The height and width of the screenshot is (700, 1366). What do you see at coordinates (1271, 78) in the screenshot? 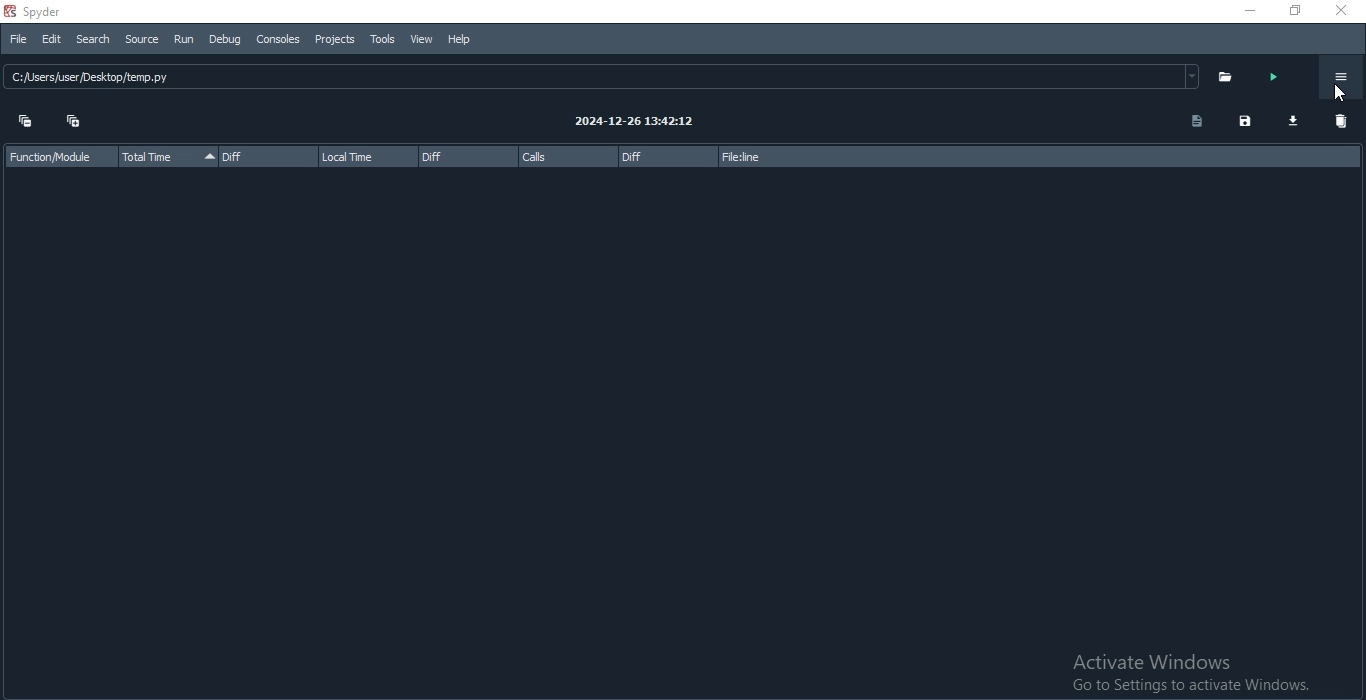
I see `run` at bounding box center [1271, 78].